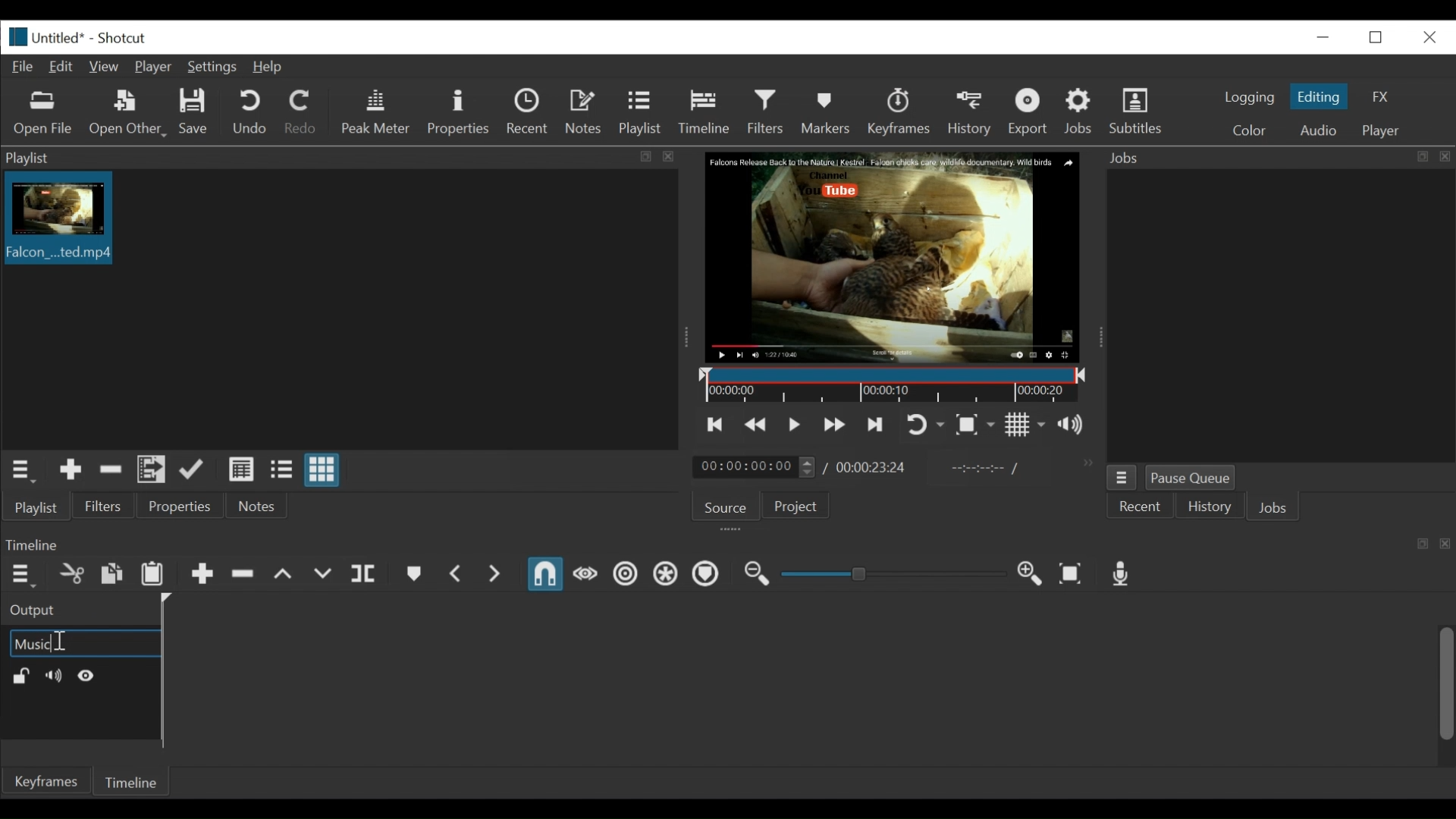 This screenshot has width=1456, height=819. I want to click on Close, so click(1428, 37).